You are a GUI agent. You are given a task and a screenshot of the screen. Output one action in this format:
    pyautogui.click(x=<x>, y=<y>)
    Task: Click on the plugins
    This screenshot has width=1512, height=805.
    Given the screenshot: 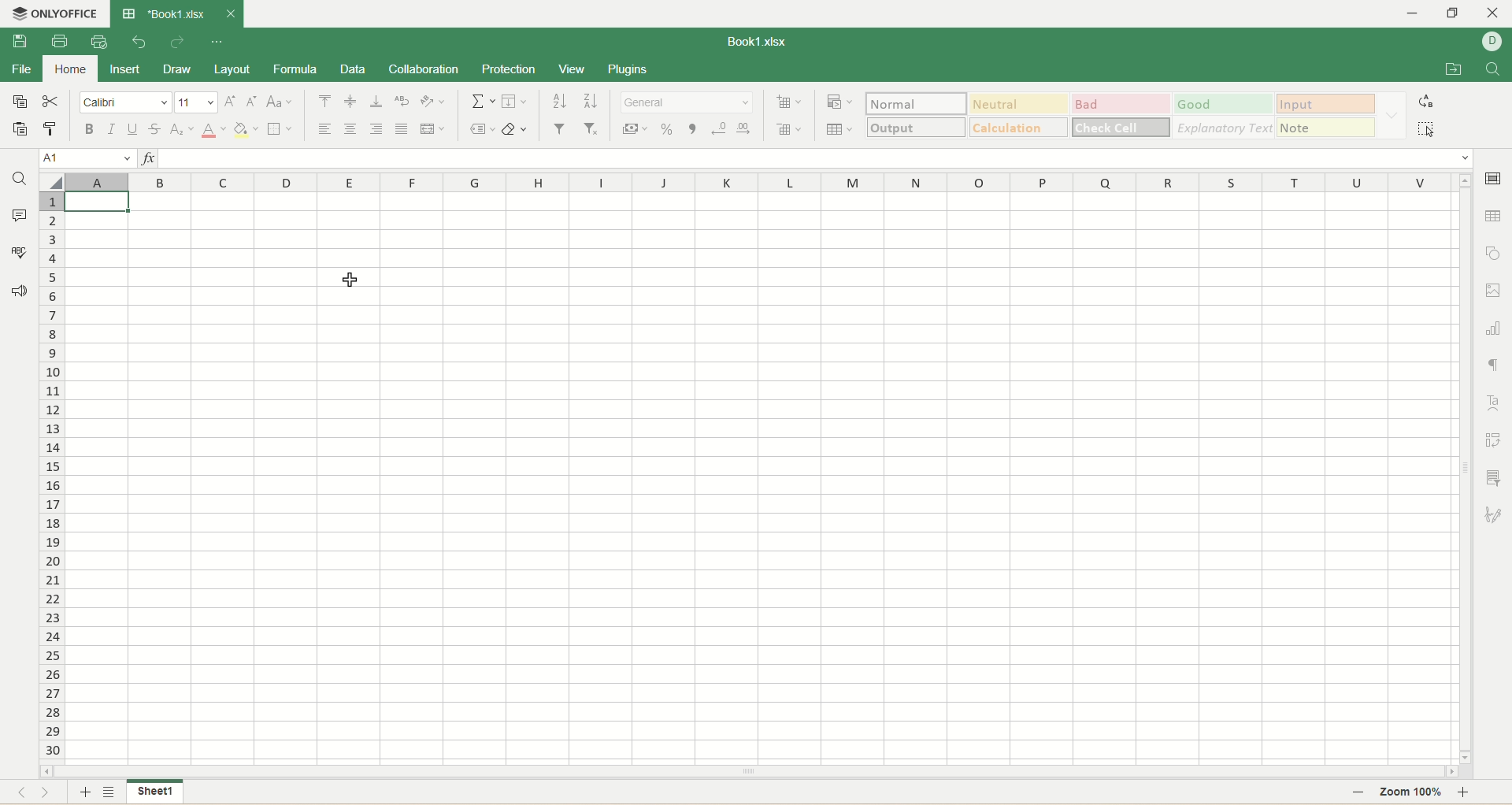 What is the action you would take?
    pyautogui.click(x=624, y=69)
    